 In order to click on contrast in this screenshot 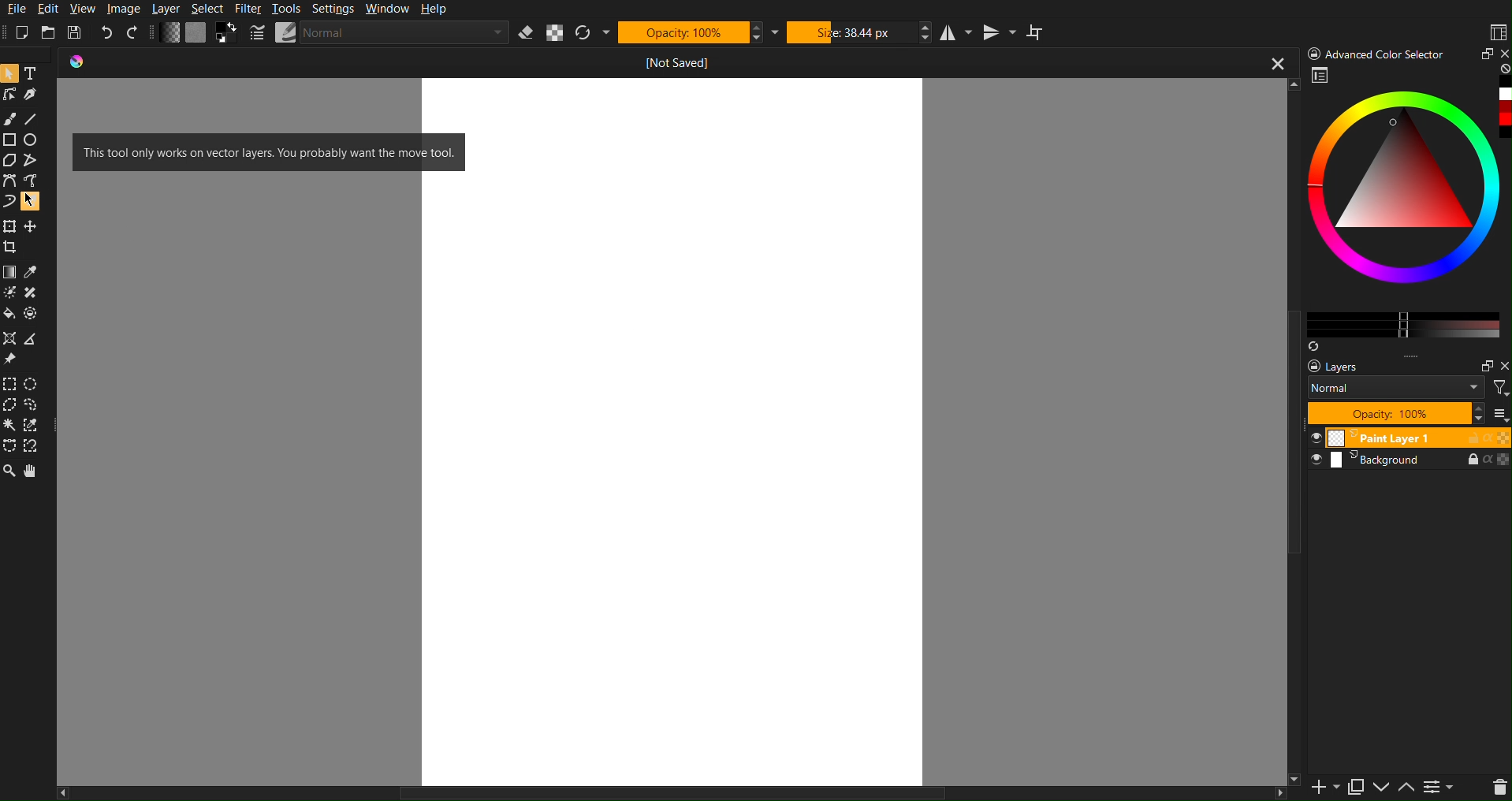, I will do `click(1441, 790)`.